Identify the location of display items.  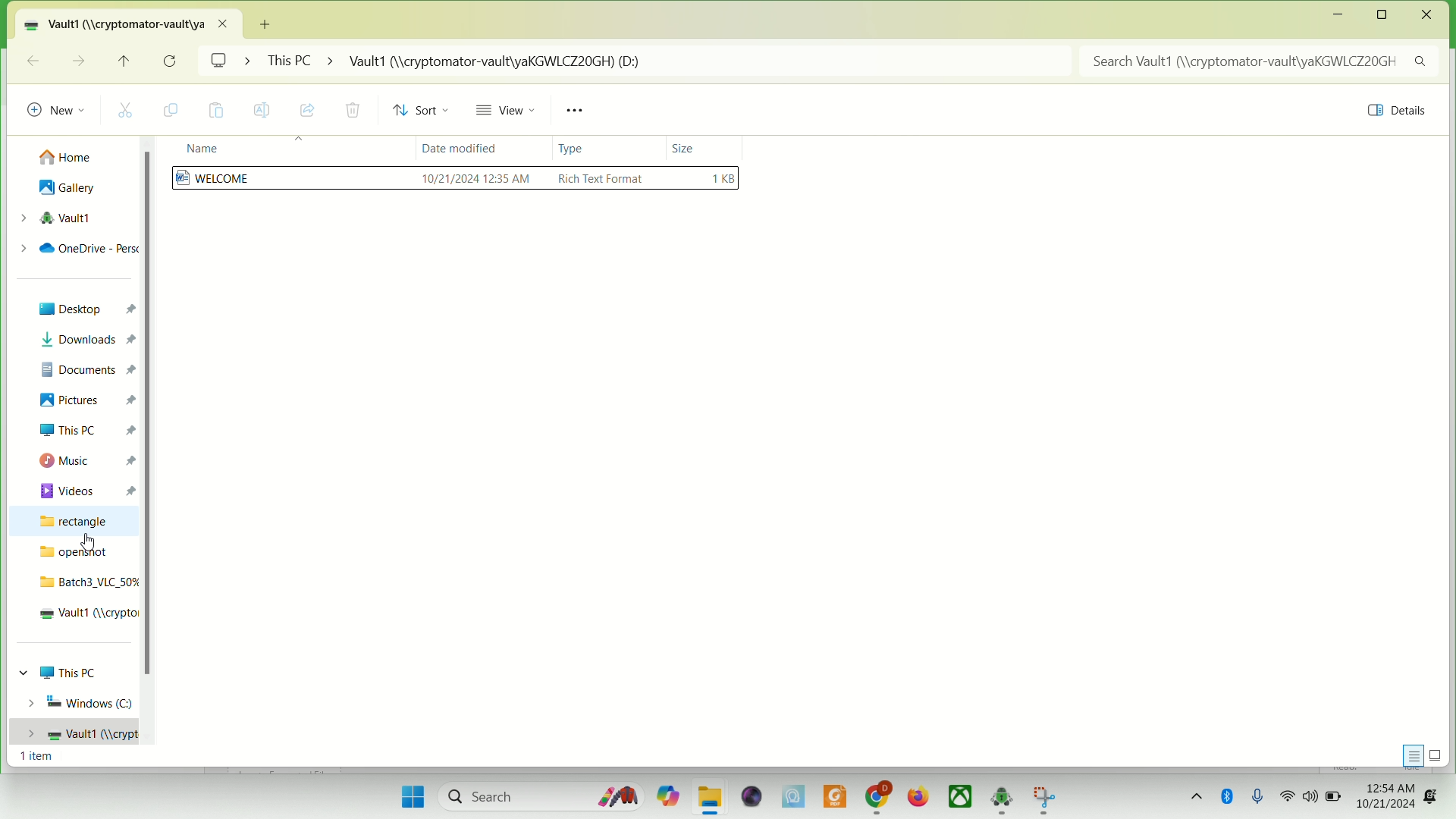
(1439, 755).